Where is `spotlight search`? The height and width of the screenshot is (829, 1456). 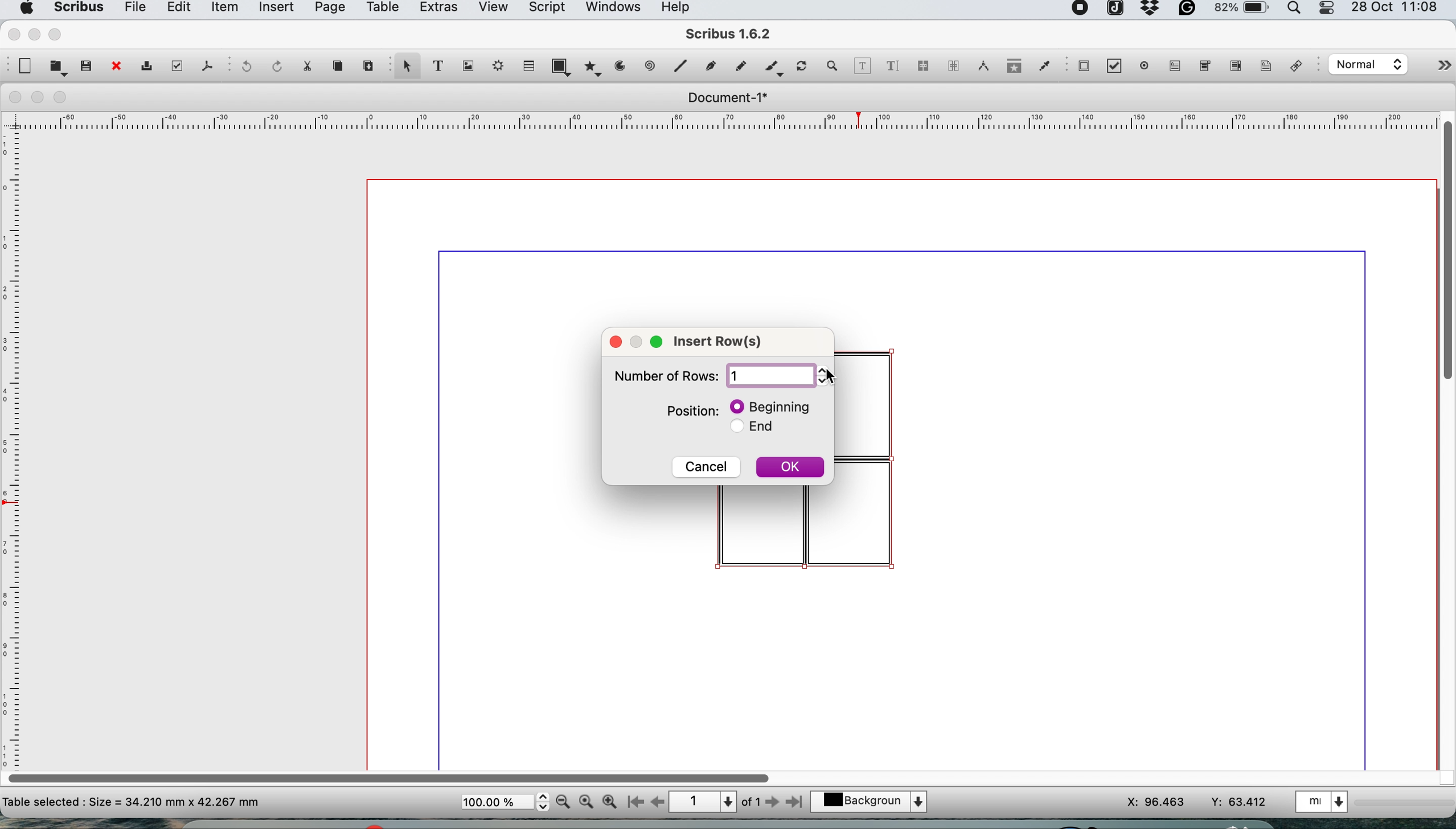 spotlight search is located at coordinates (1297, 11).